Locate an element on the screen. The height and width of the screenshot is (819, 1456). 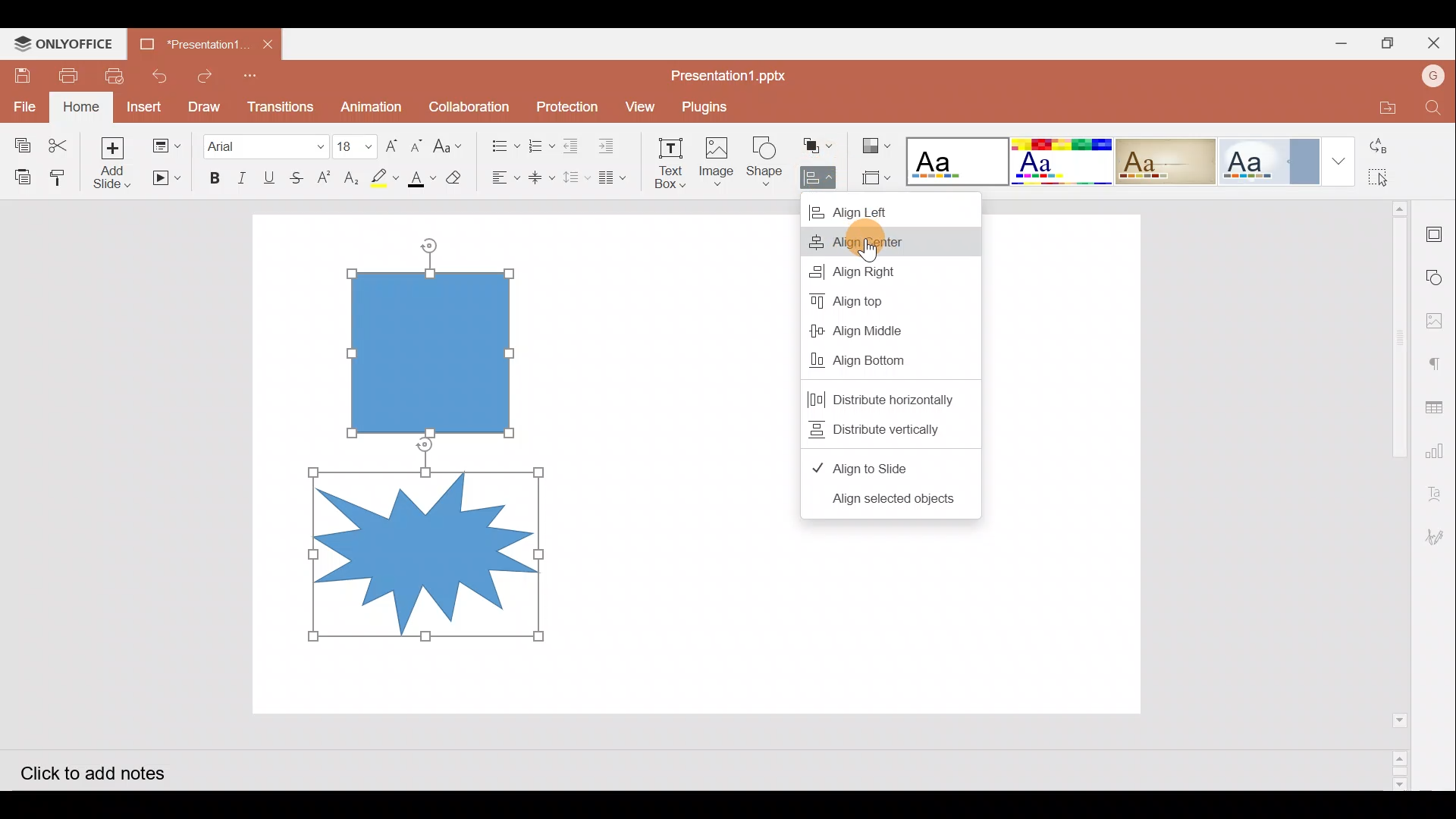
Close is located at coordinates (1436, 42).